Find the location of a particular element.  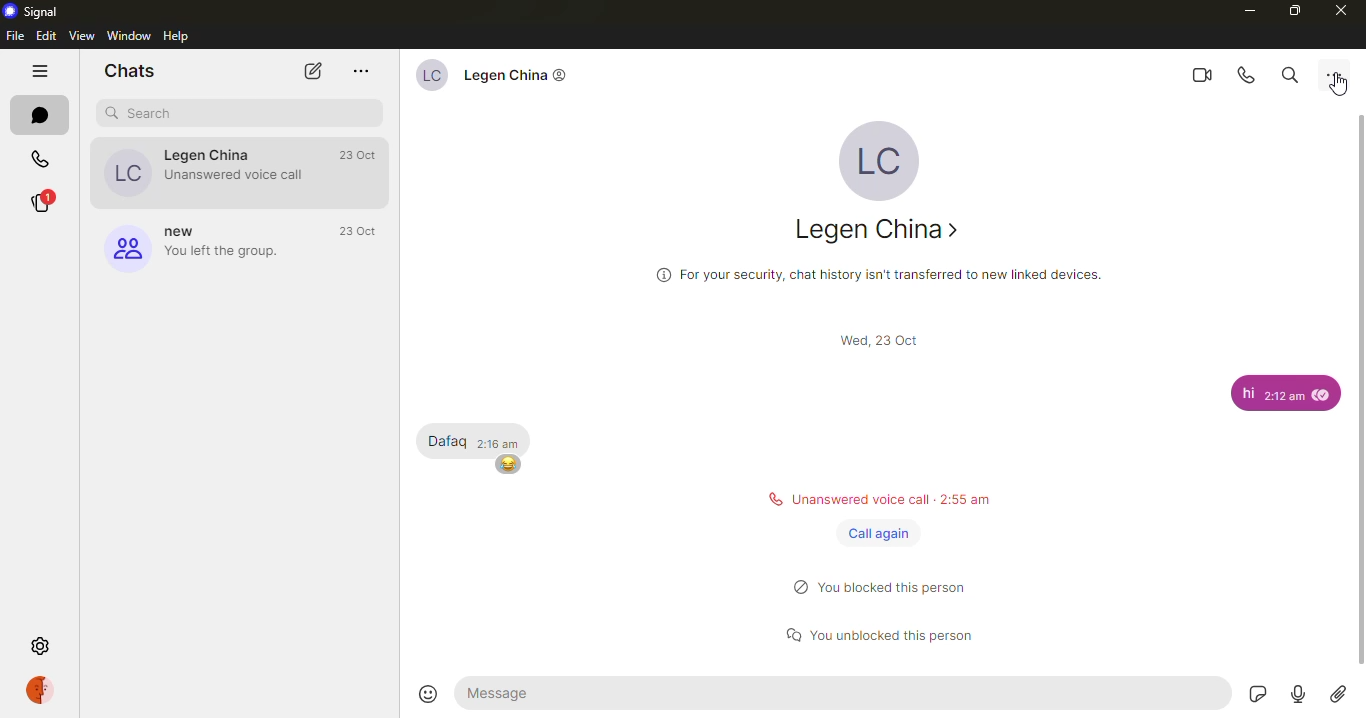

seen is located at coordinates (1321, 395).